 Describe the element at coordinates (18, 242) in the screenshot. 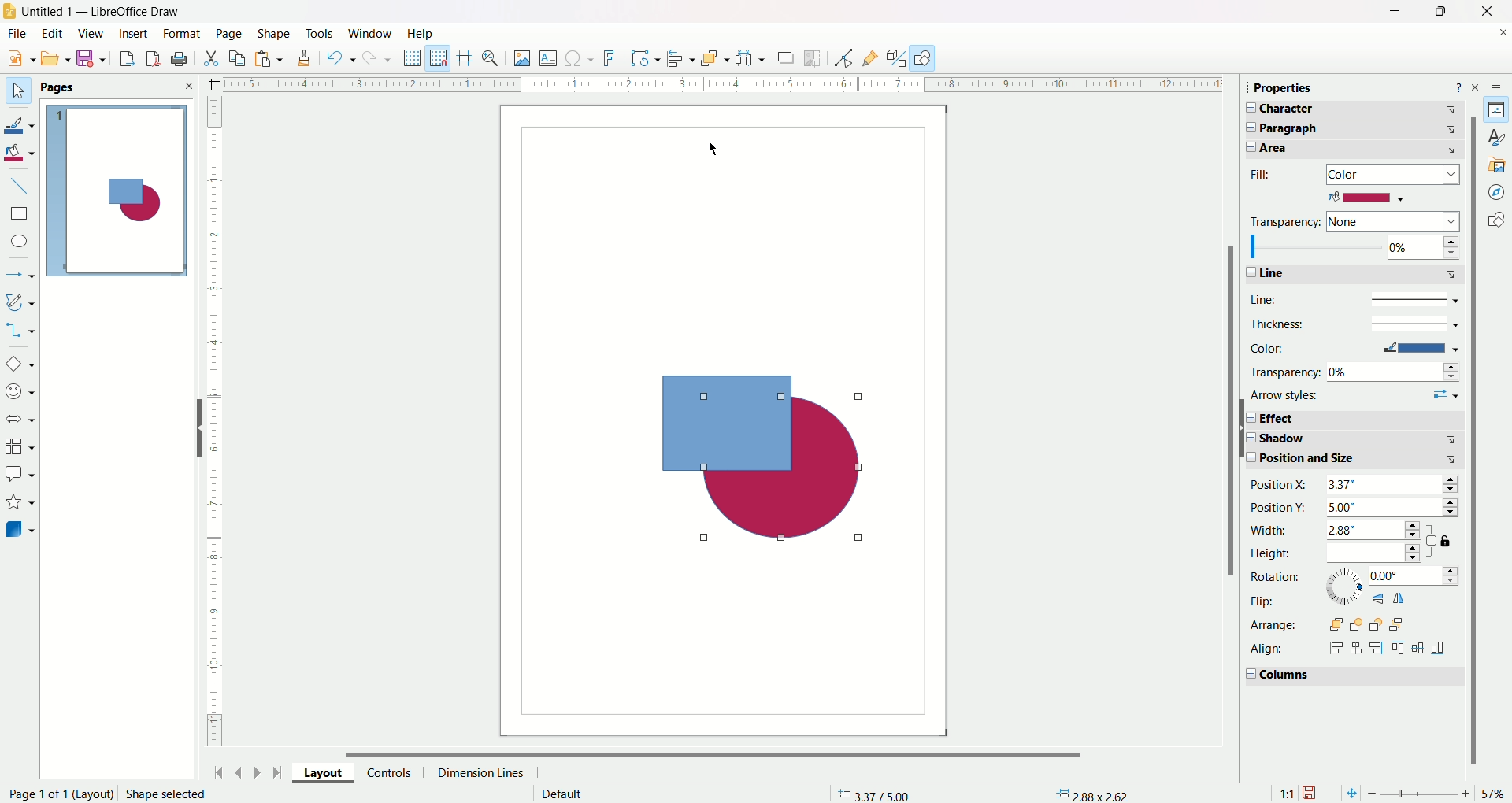

I see `ellipse` at that location.